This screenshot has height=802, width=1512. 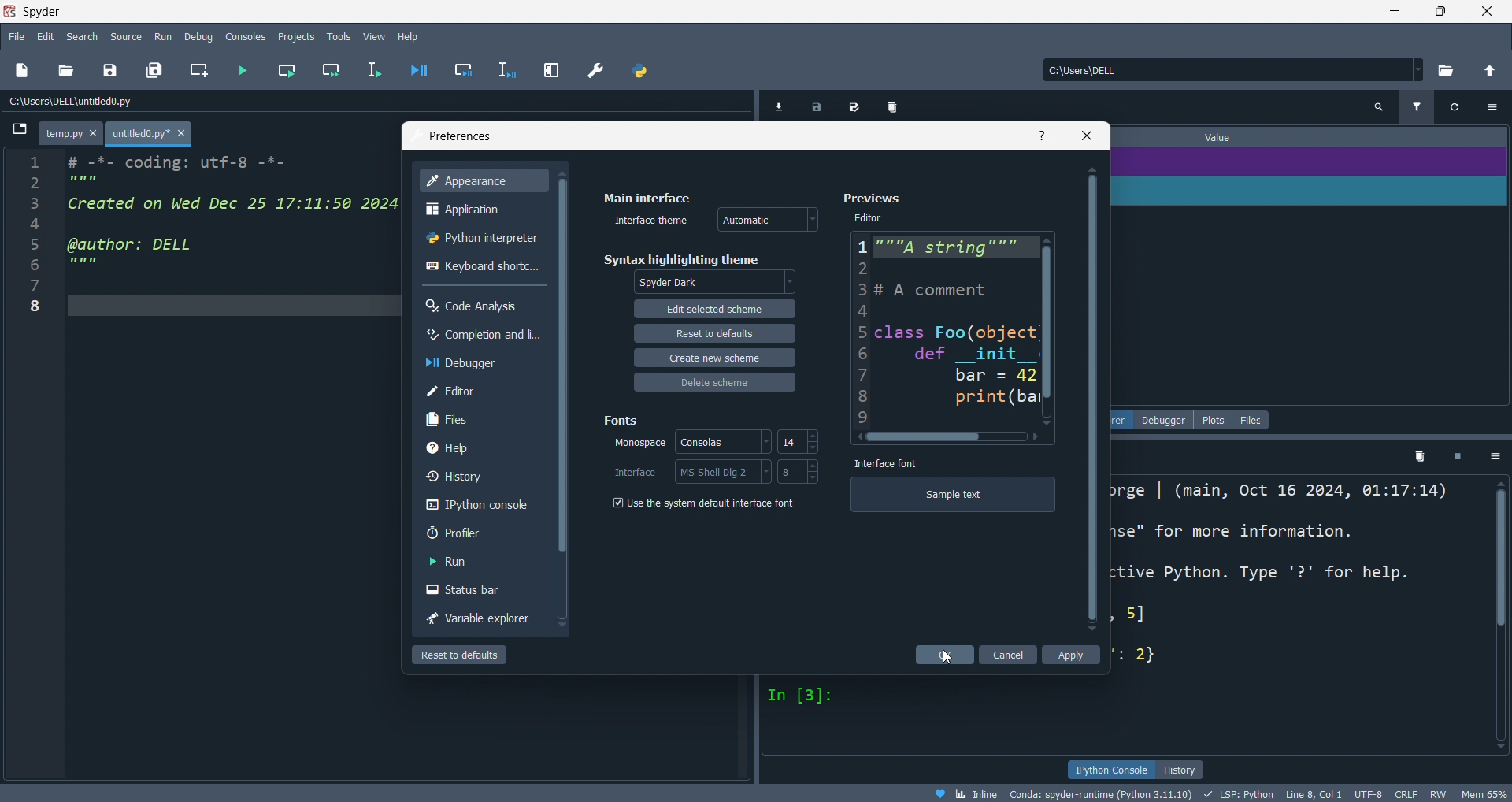 What do you see at coordinates (70, 71) in the screenshot?
I see `open fil` at bounding box center [70, 71].